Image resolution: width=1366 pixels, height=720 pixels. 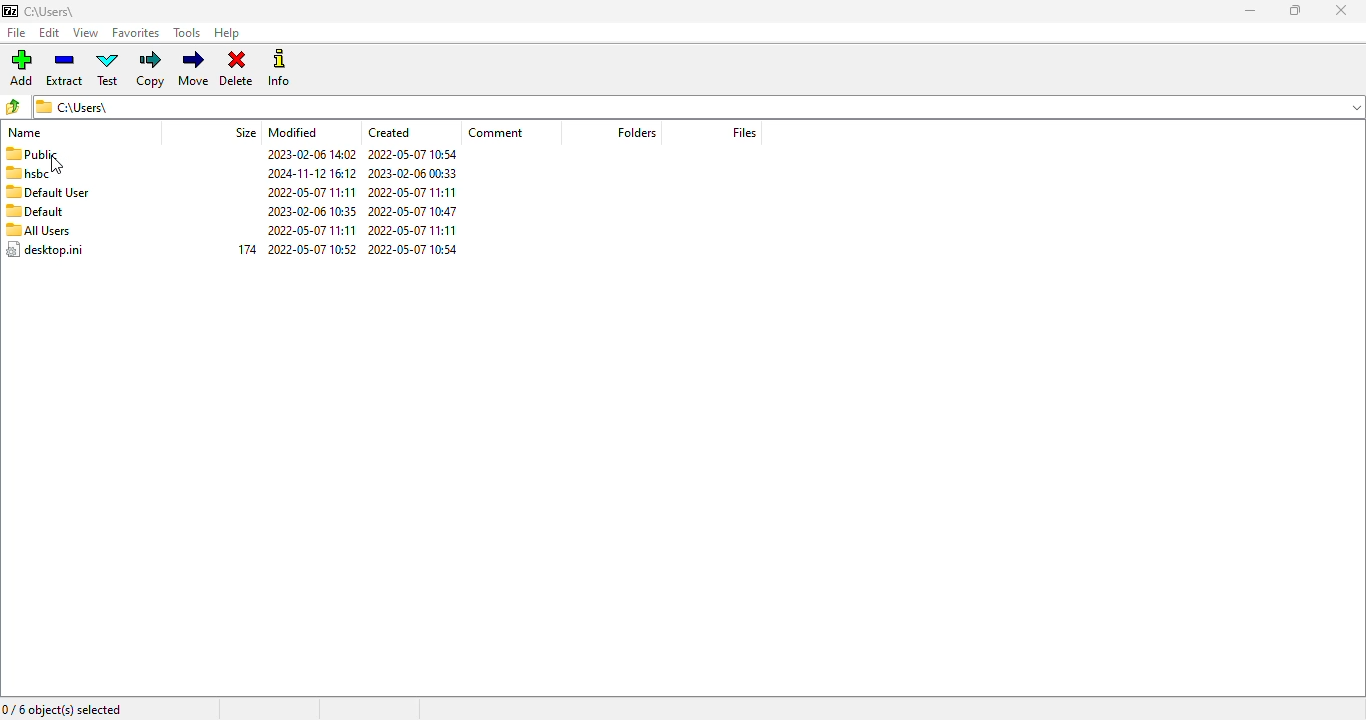 What do you see at coordinates (44, 249) in the screenshot?
I see `desktop.ini` at bounding box center [44, 249].